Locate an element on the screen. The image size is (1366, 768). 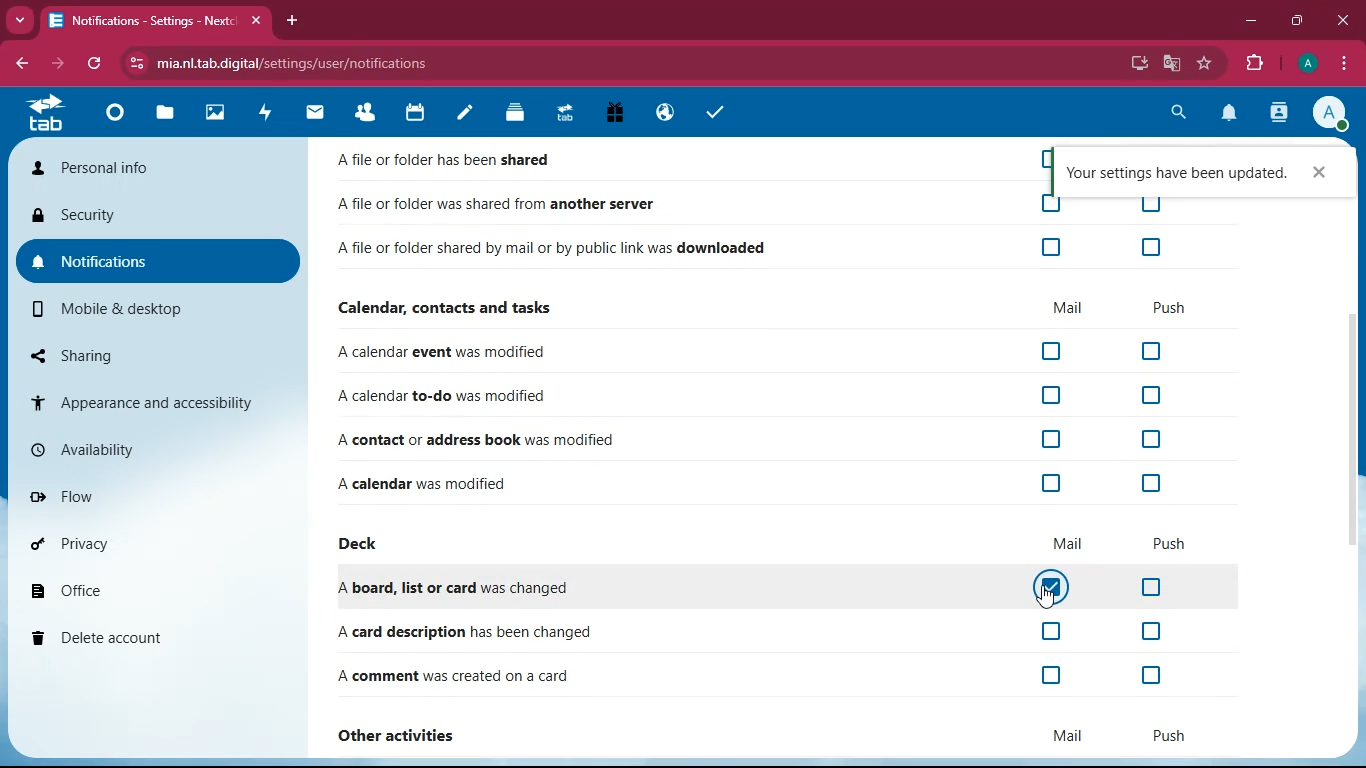
minimize is located at coordinates (1251, 22).